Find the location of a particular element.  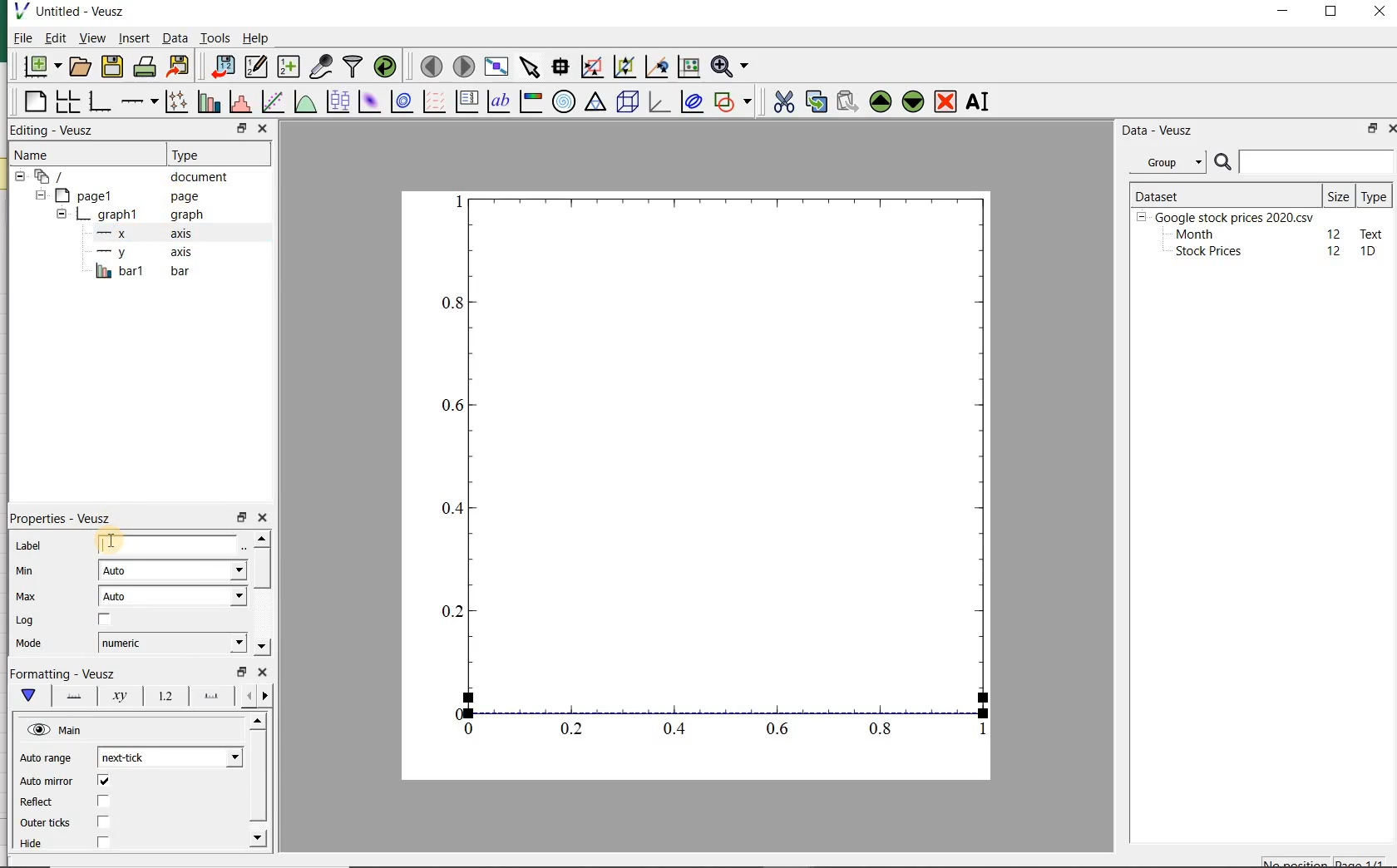

Edit is located at coordinates (54, 37).